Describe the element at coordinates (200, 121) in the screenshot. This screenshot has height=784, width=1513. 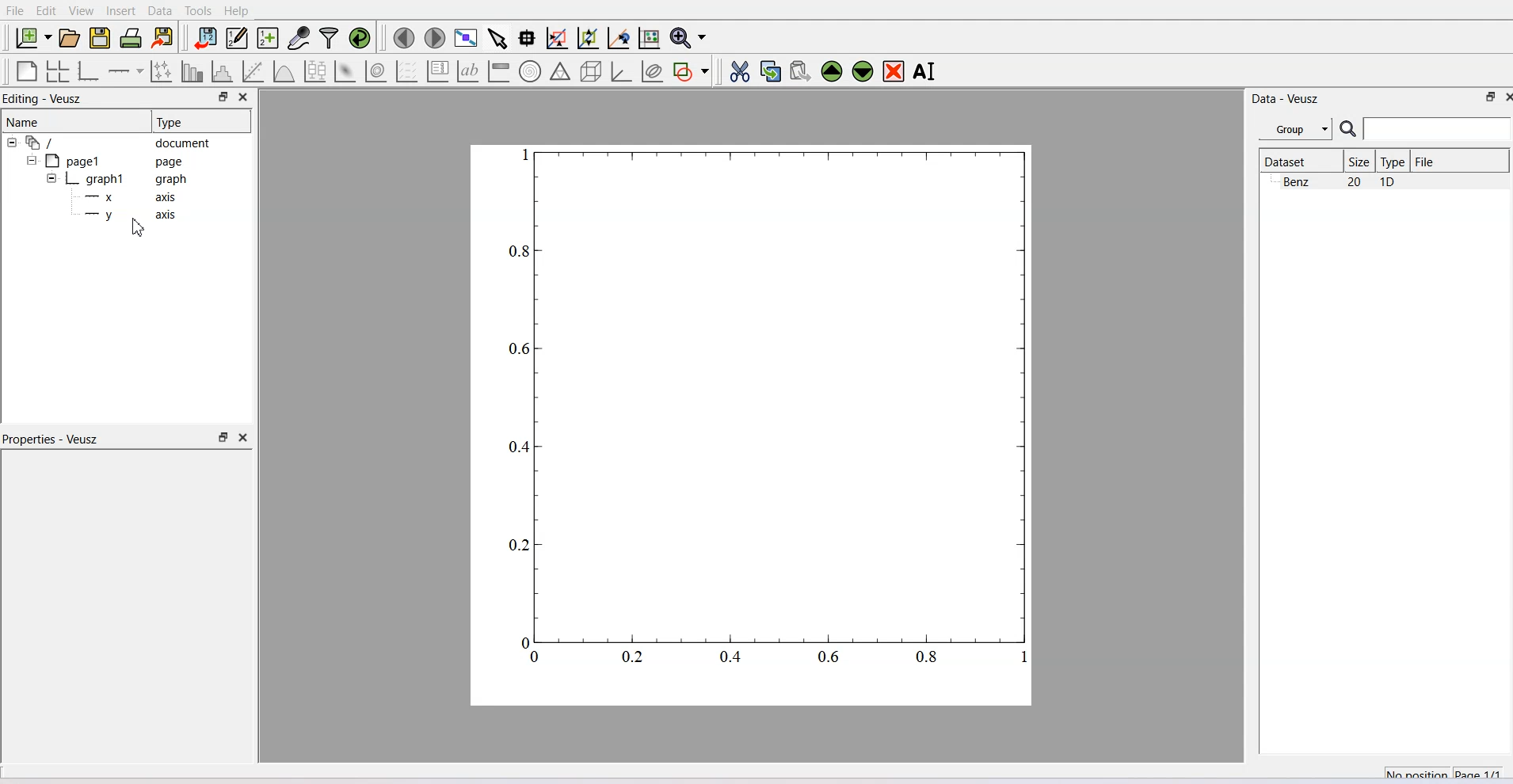
I see `Type` at that location.